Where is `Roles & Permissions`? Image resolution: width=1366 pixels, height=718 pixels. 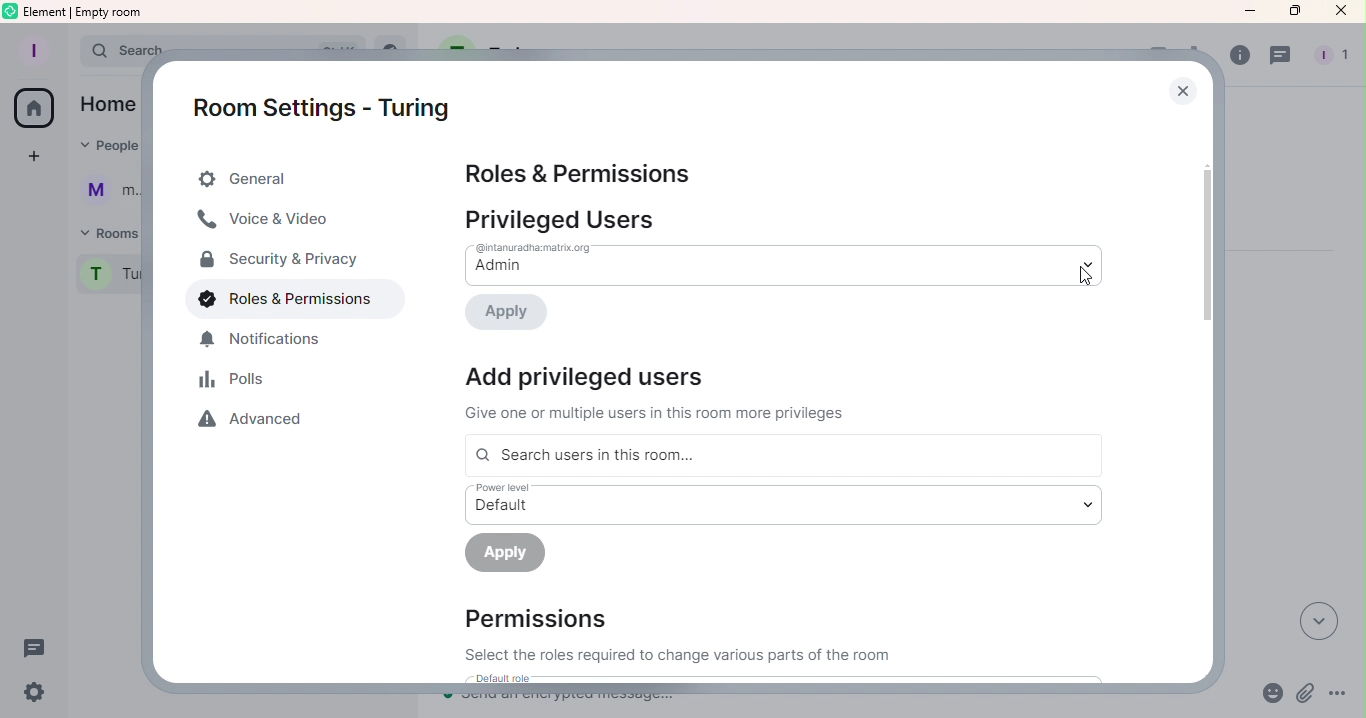
Roles & Permissions is located at coordinates (582, 173).